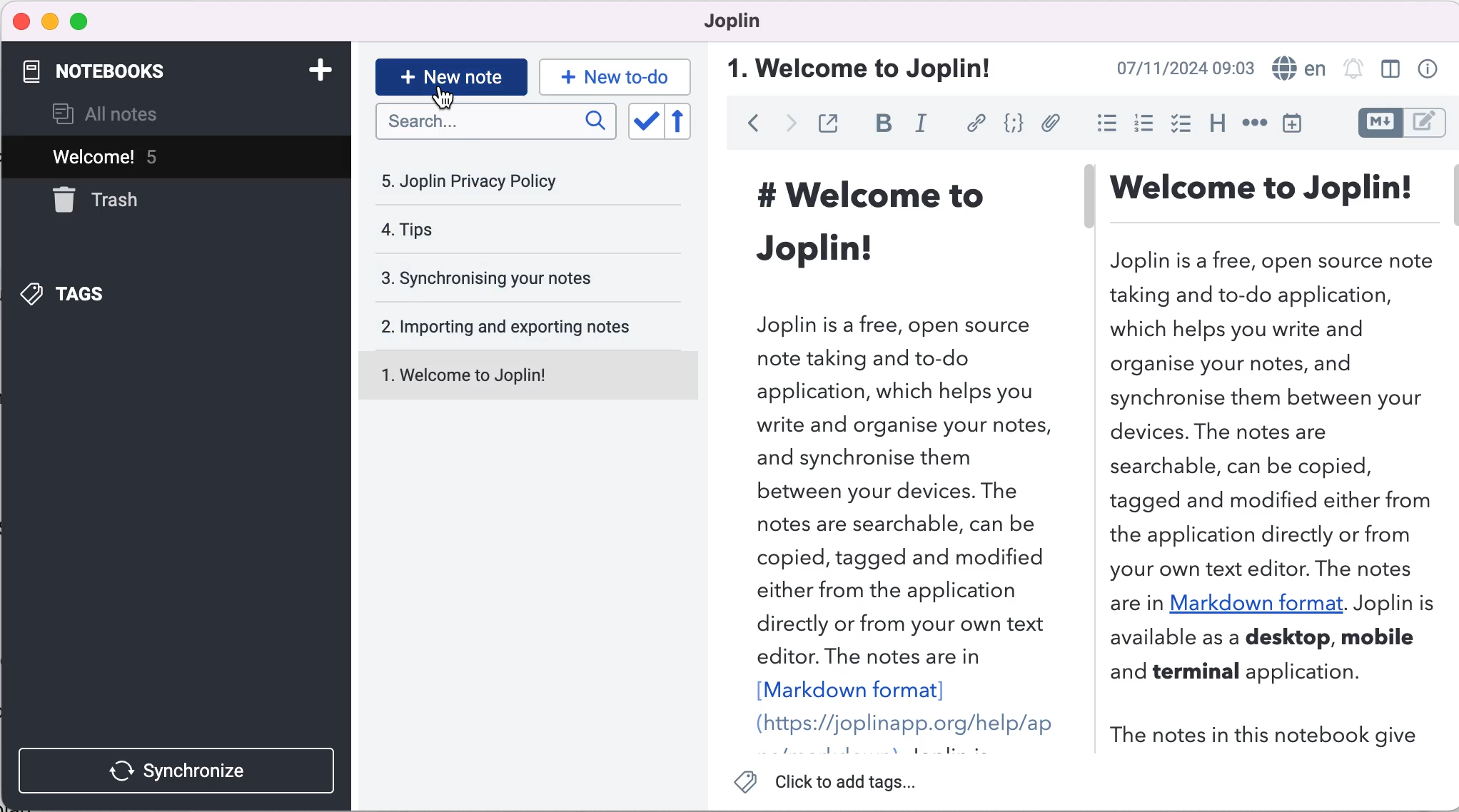 The width and height of the screenshot is (1459, 812). Describe the element at coordinates (83, 21) in the screenshot. I see `maximize` at that location.